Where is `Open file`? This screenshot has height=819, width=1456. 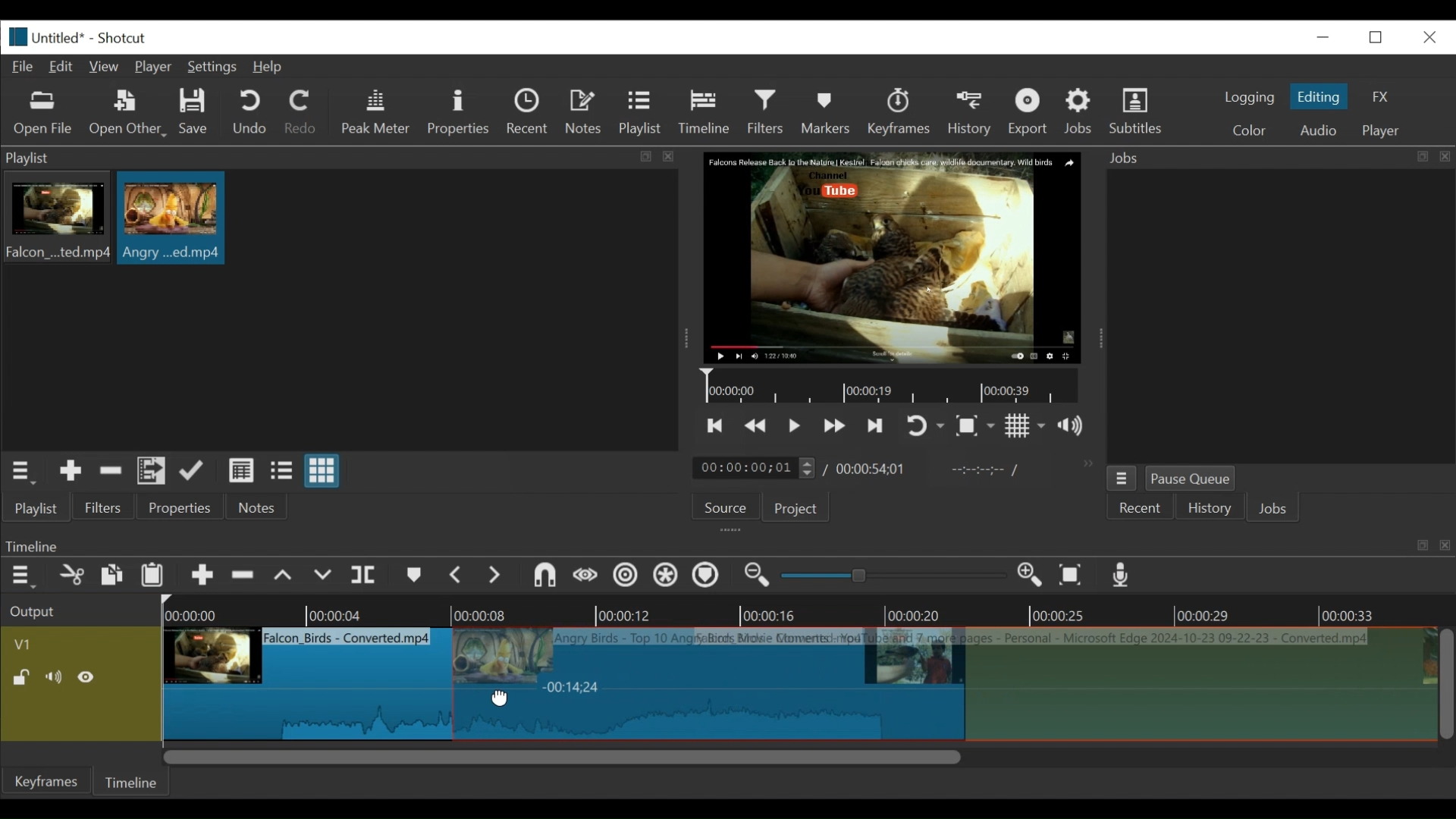
Open file is located at coordinates (43, 114).